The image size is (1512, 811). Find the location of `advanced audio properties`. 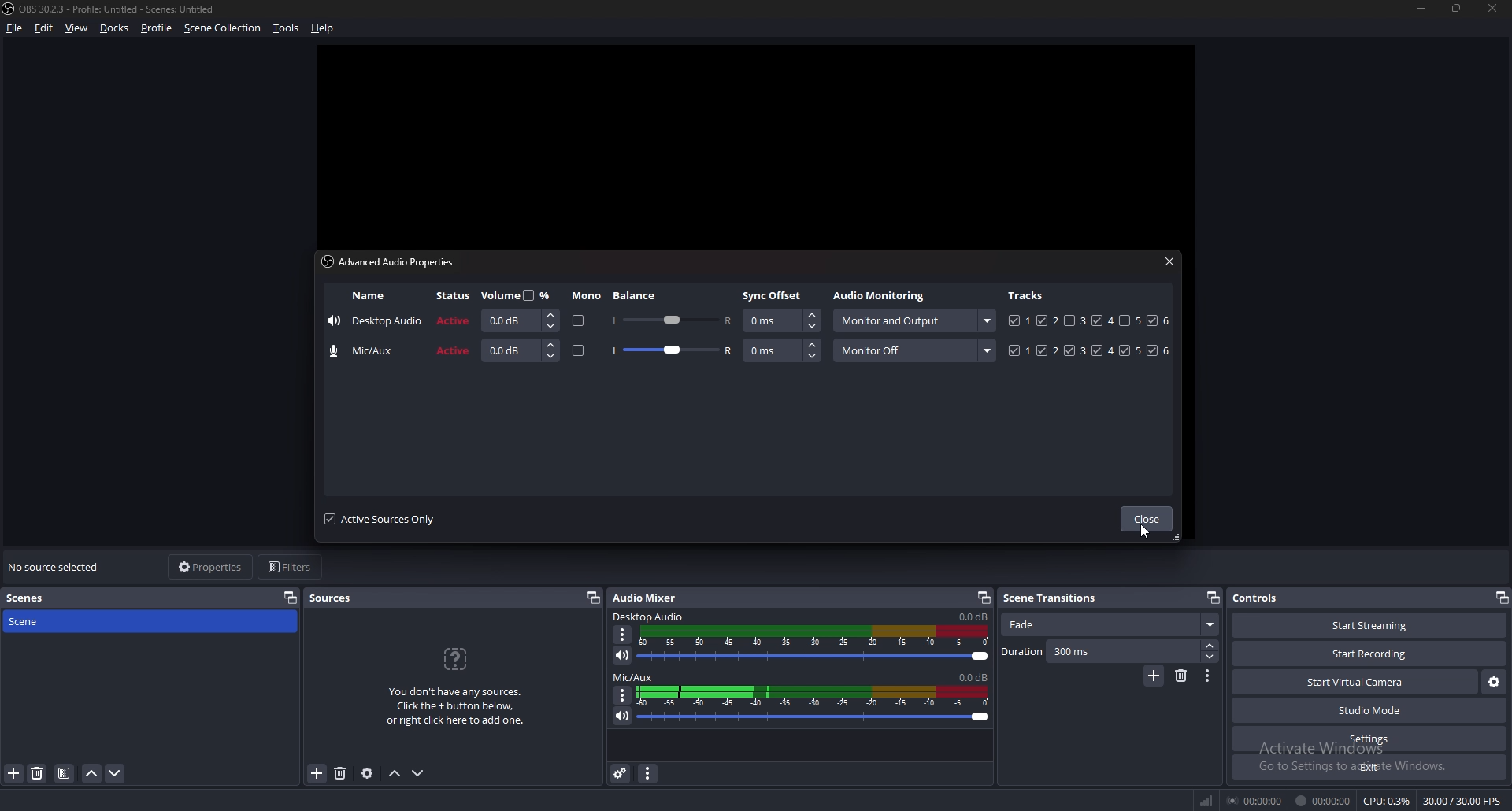

advanced audio properties is located at coordinates (621, 773).